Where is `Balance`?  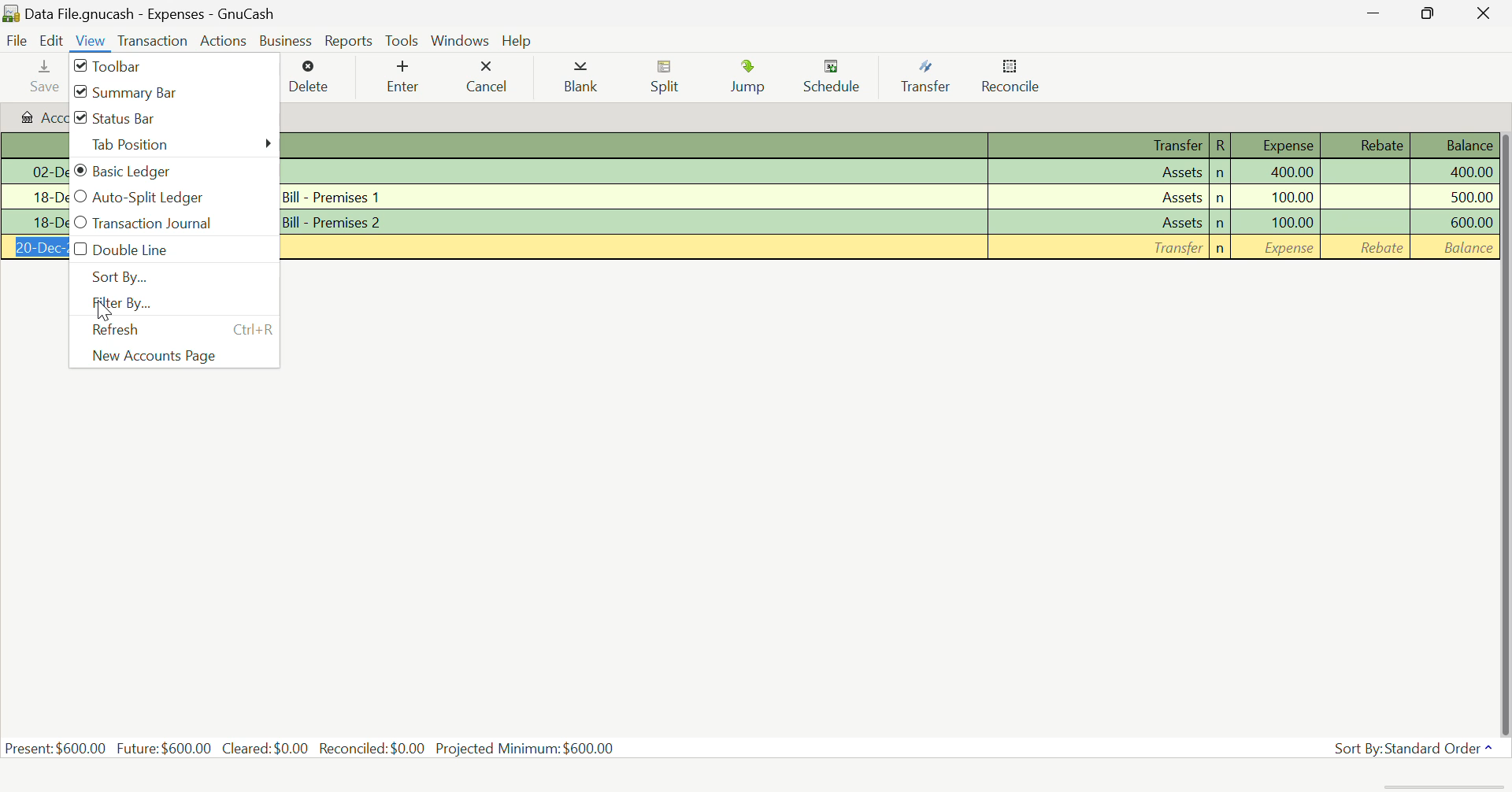 Balance is located at coordinates (1454, 248).